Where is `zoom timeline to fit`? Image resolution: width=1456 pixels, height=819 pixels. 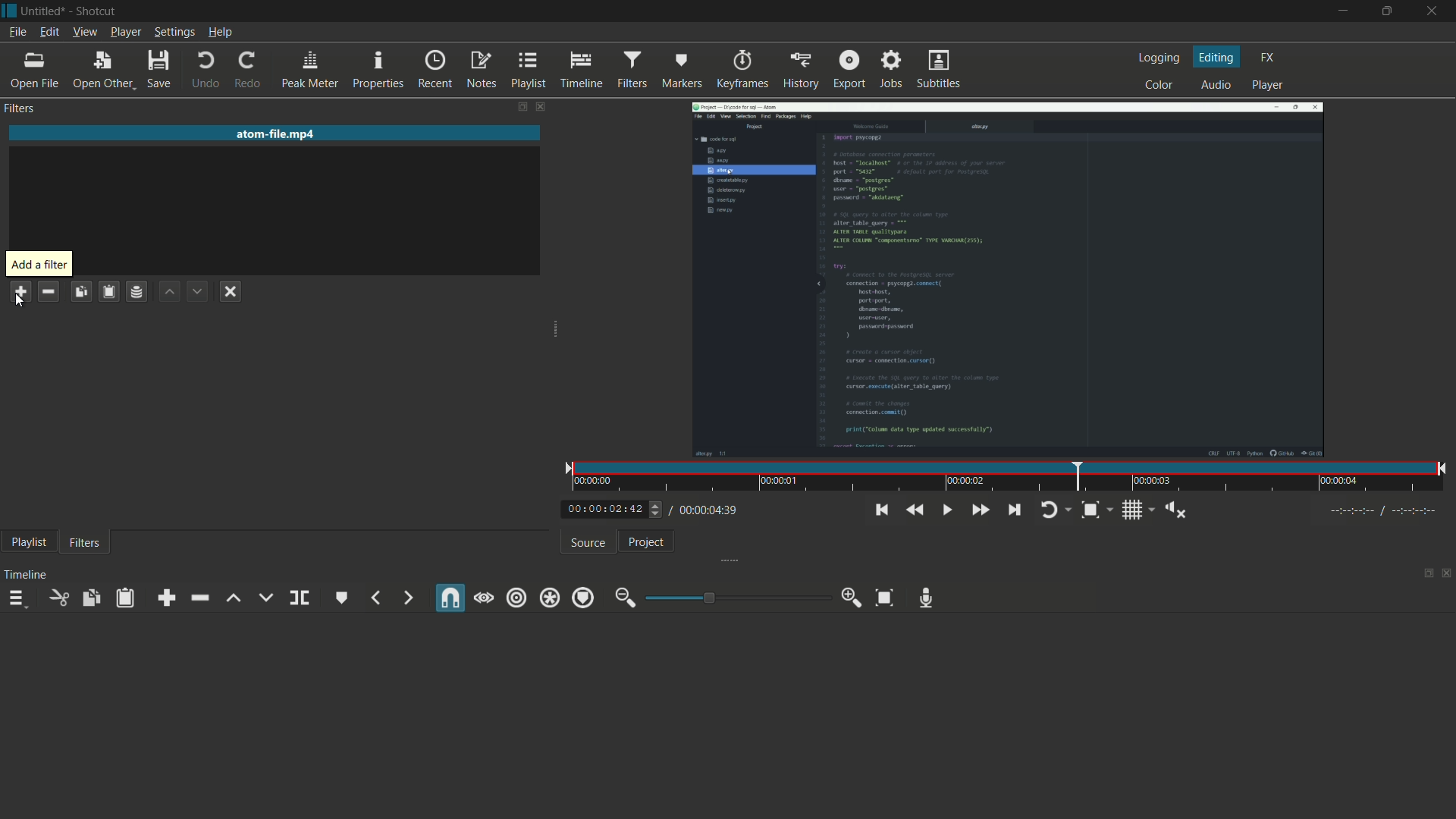
zoom timeline to fit is located at coordinates (1096, 510).